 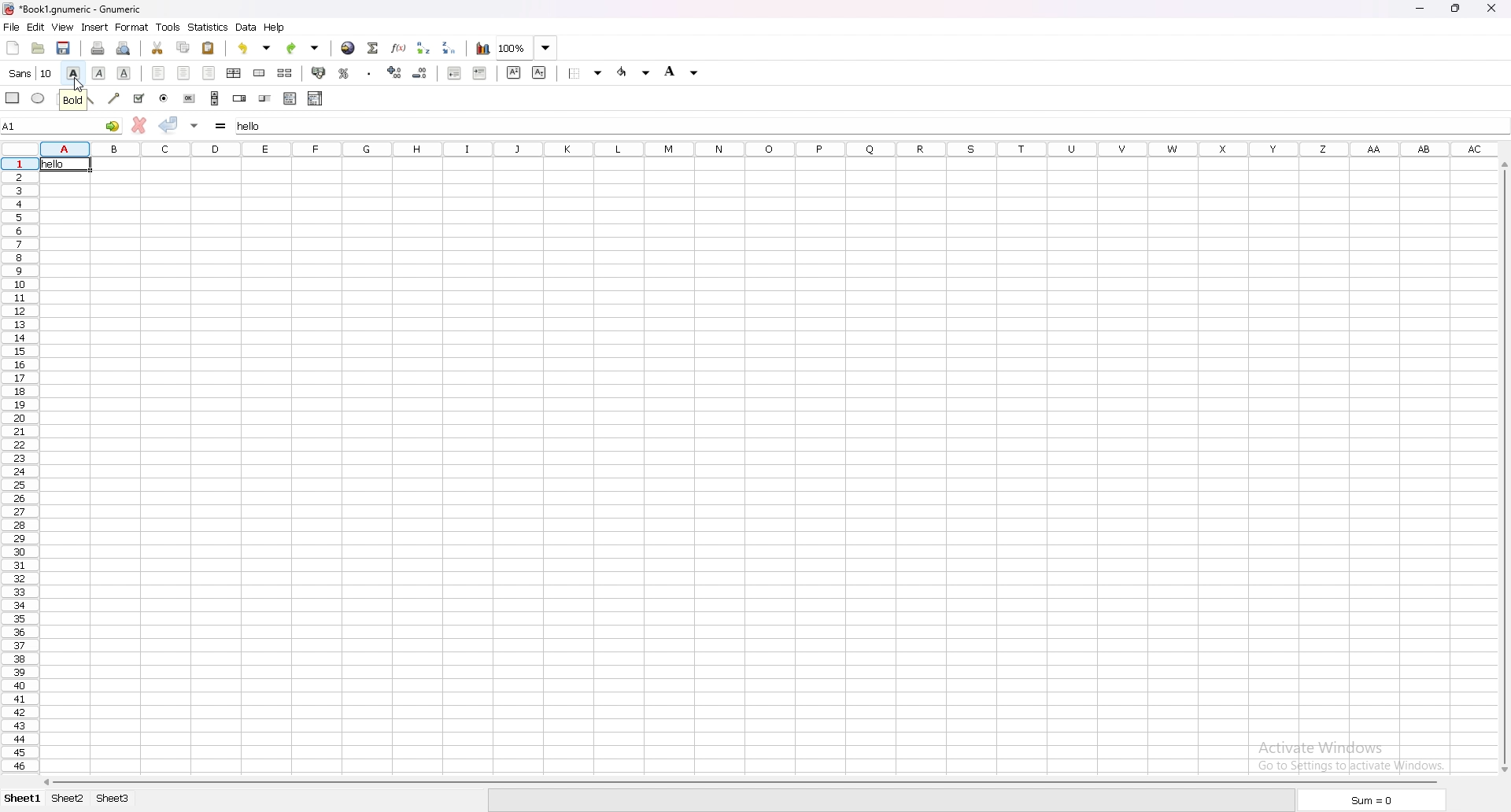 What do you see at coordinates (183, 47) in the screenshot?
I see `copy` at bounding box center [183, 47].